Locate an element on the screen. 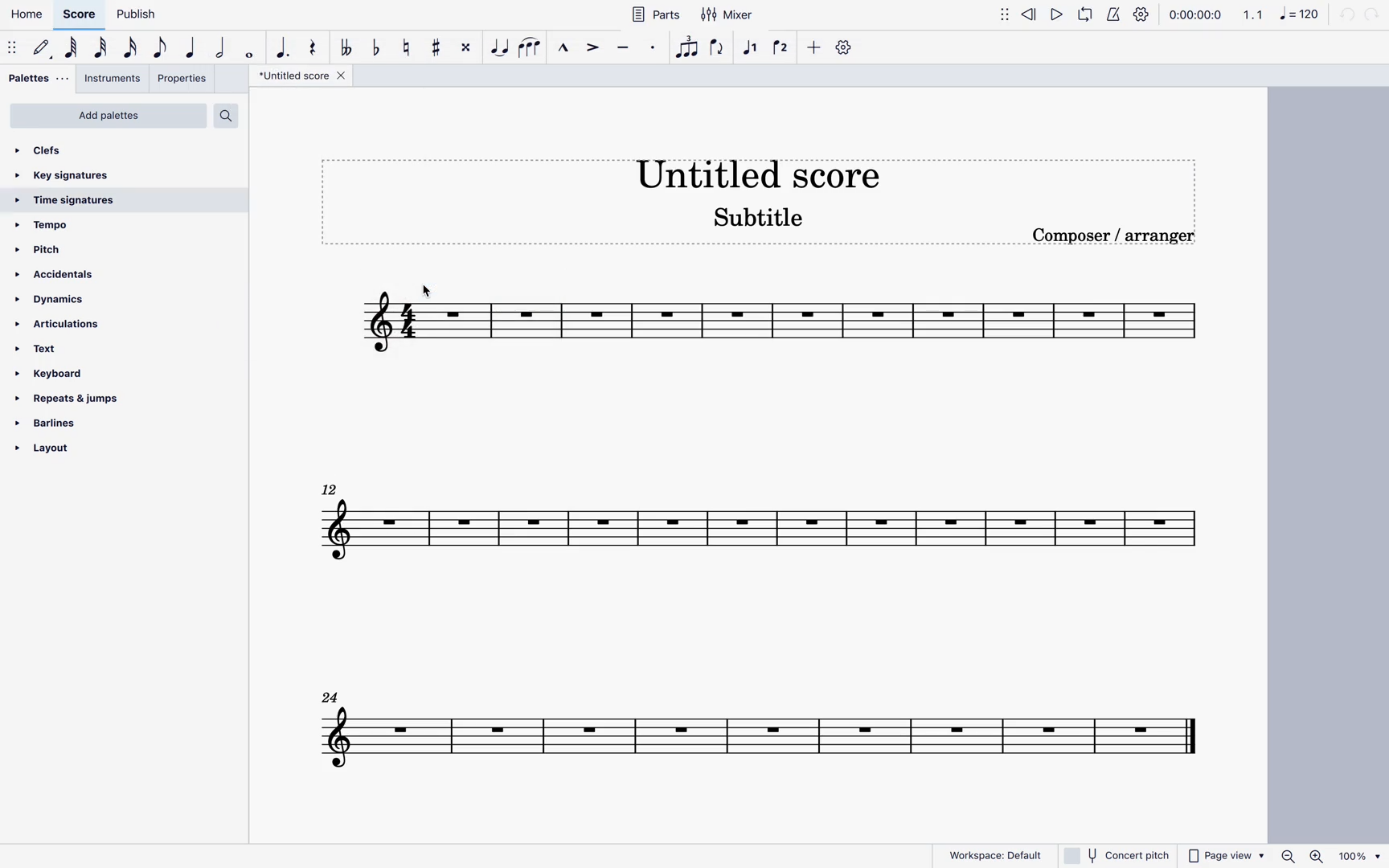 This screenshot has width=1389, height=868. composer / arranger is located at coordinates (1119, 237).